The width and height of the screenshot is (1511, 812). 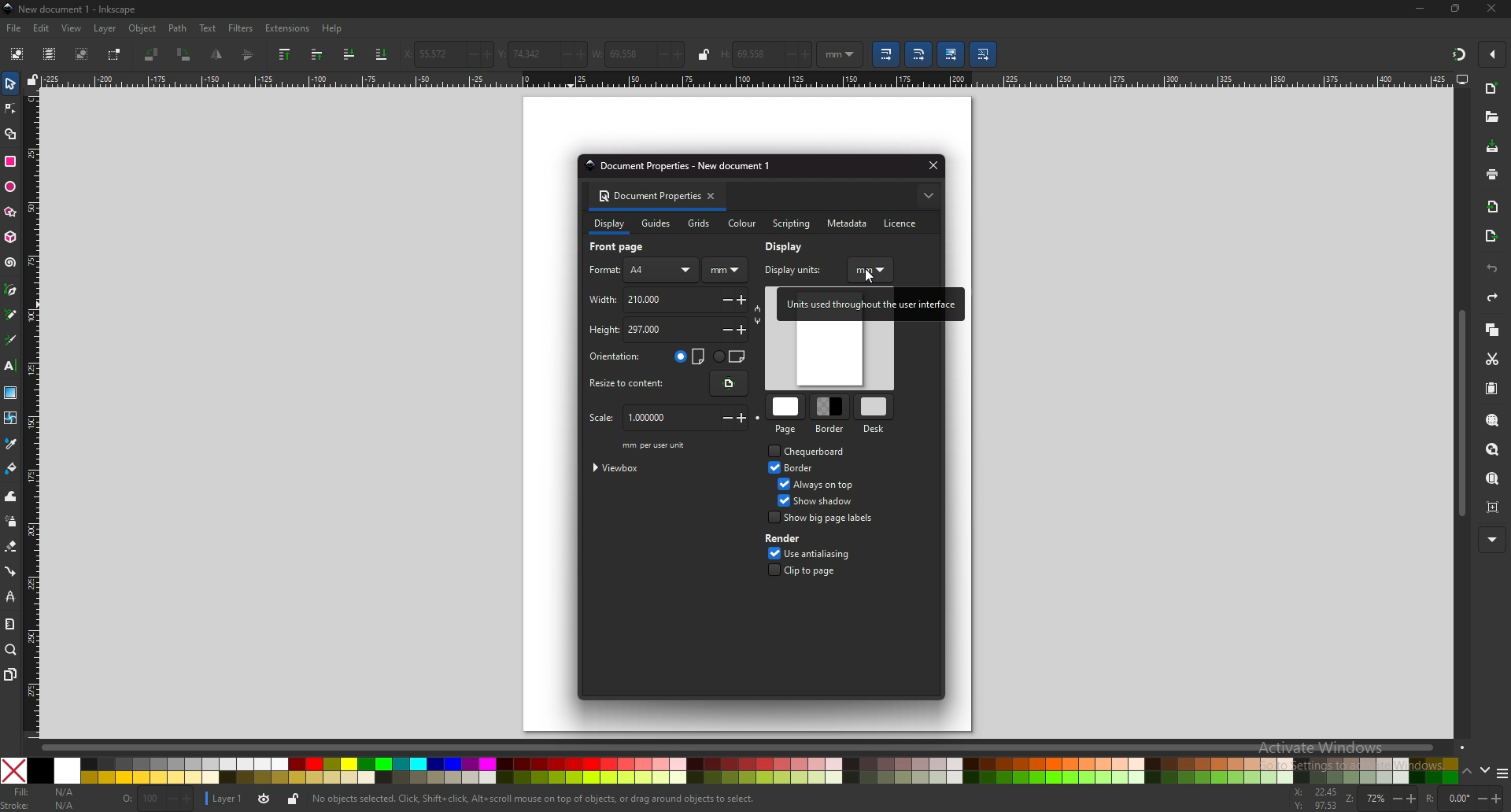 I want to click on redo, so click(x=1493, y=297).